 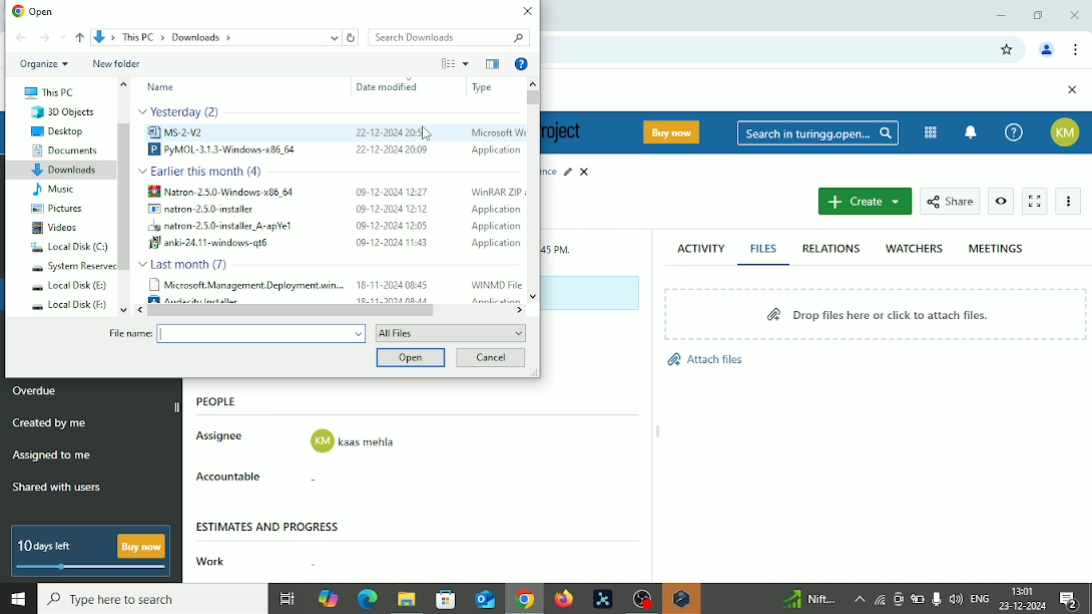 What do you see at coordinates (223, 434) in the screenshot?
I see `Assignee` at bounding box center [223, 434].